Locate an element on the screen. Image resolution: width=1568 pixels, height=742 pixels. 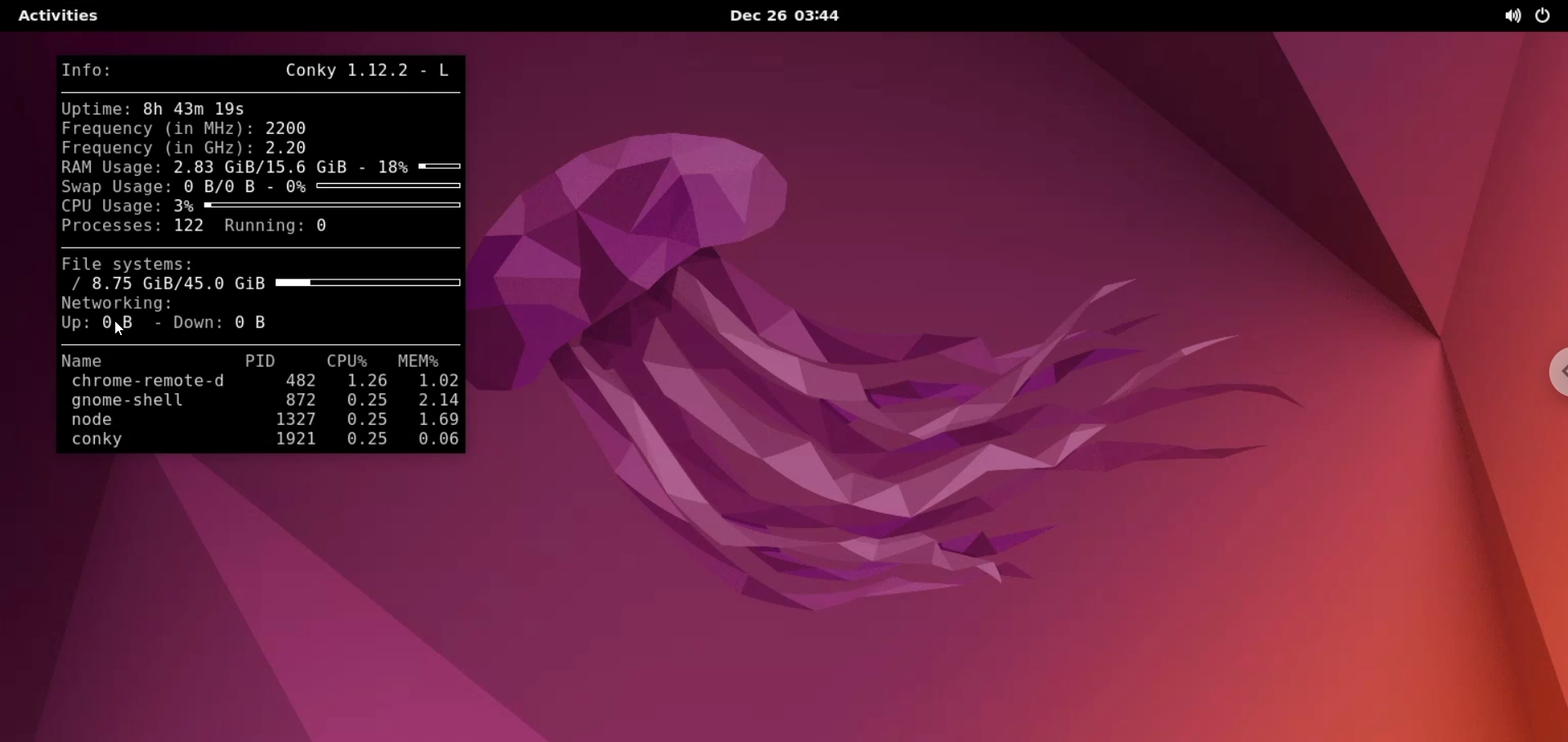
CPU usage: is located at coordinates (109, 206).